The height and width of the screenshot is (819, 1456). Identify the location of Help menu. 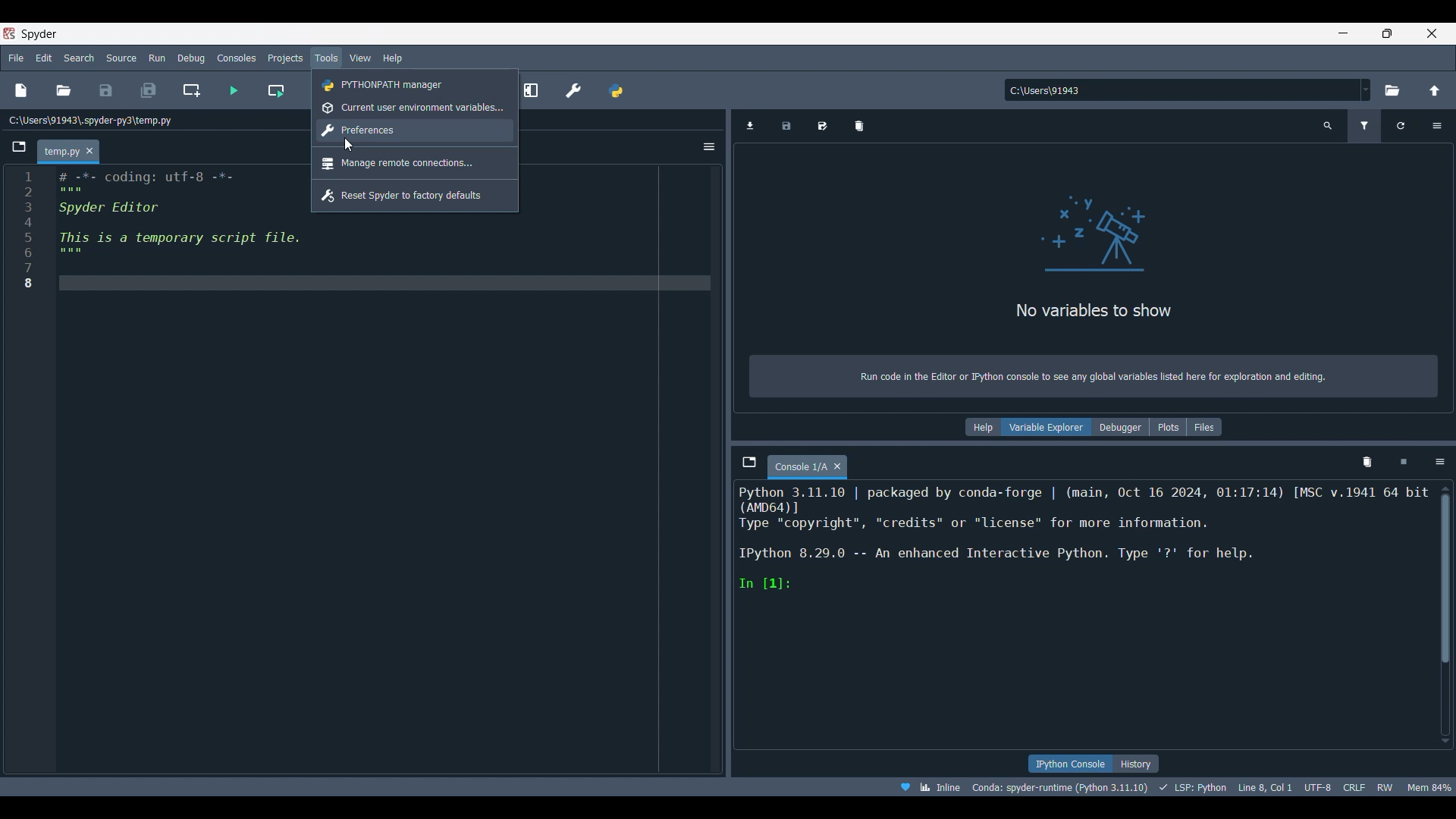
(393, 58).